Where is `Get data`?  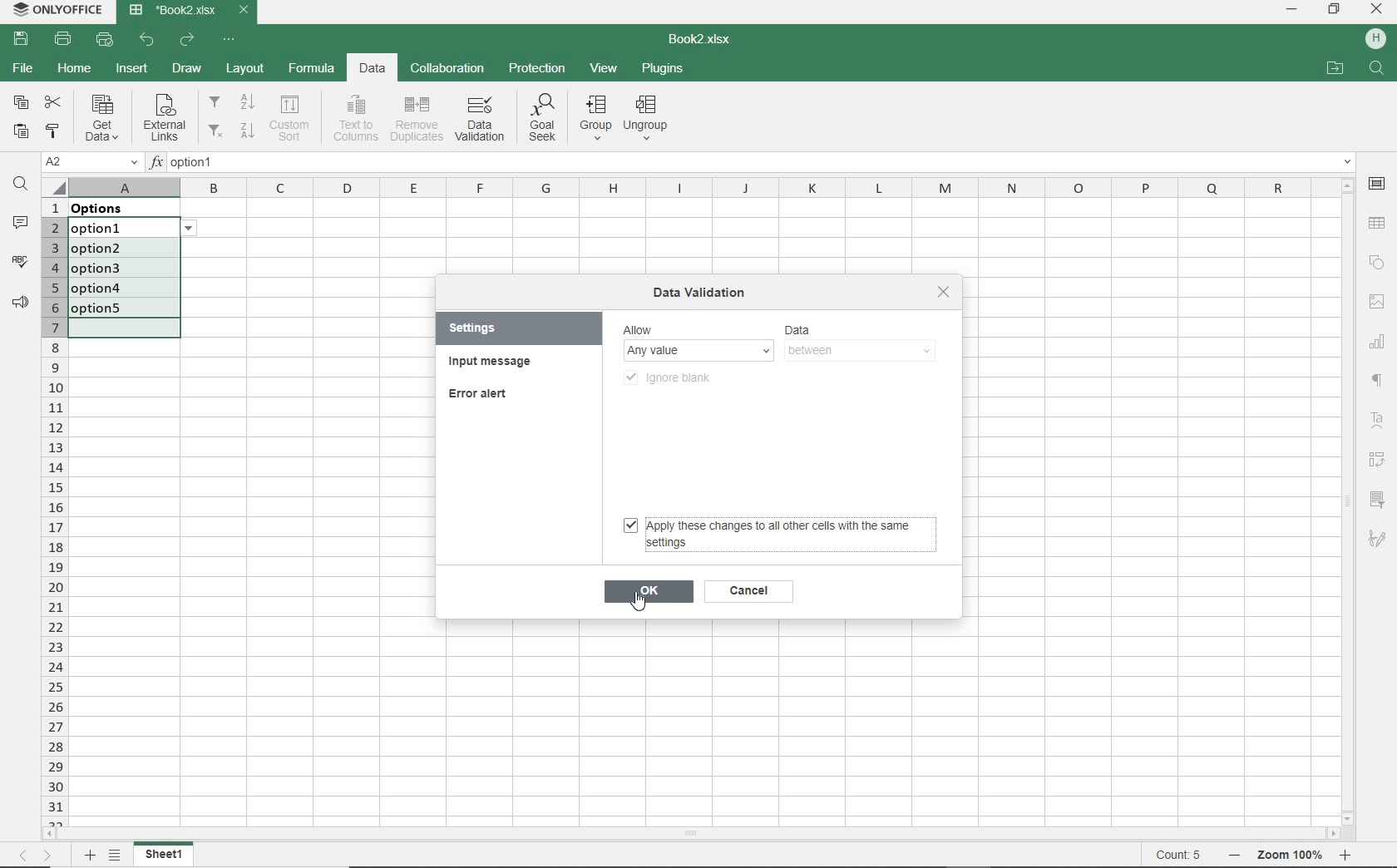 Get data is located at coordinates (100, 117).